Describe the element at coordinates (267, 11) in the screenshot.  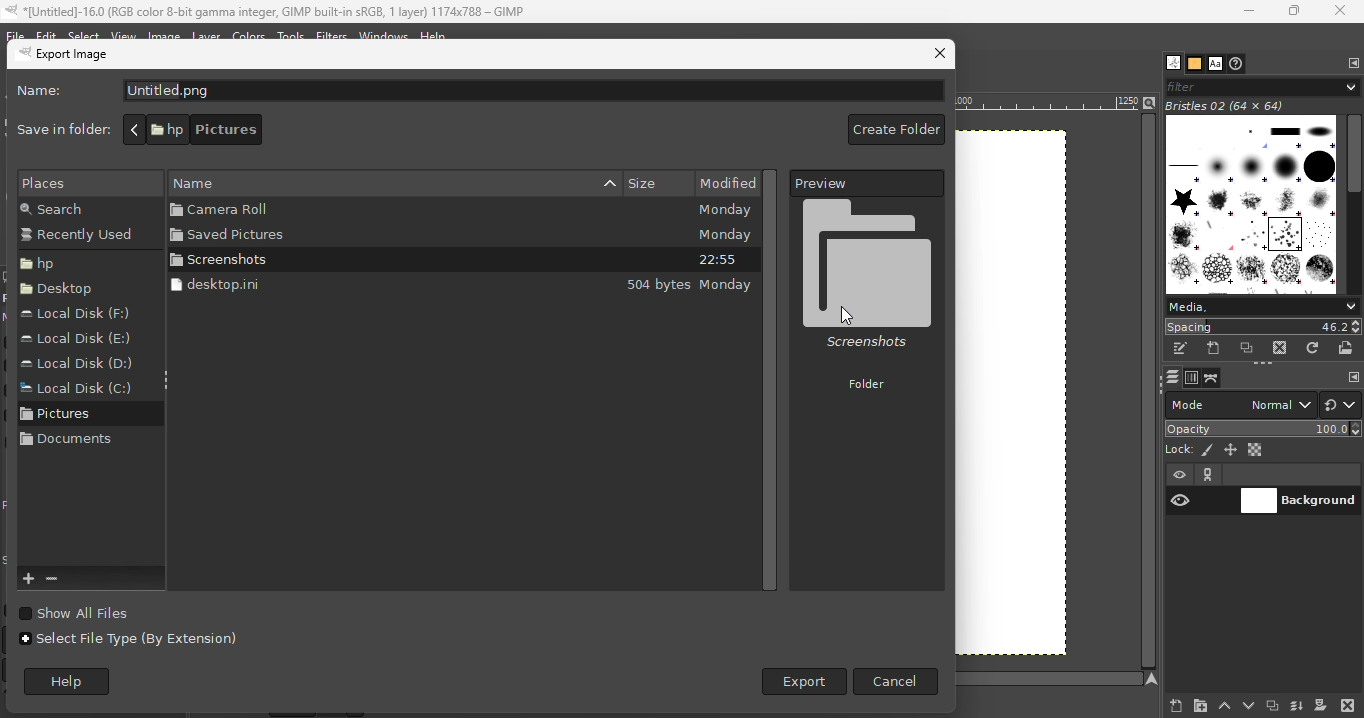
I see `*[Untitled]-16.0 (RGB color 8-bit gamma integer, GIMP built-in sRGB, 1 layer) 1174x788 - GIMP` at that location.